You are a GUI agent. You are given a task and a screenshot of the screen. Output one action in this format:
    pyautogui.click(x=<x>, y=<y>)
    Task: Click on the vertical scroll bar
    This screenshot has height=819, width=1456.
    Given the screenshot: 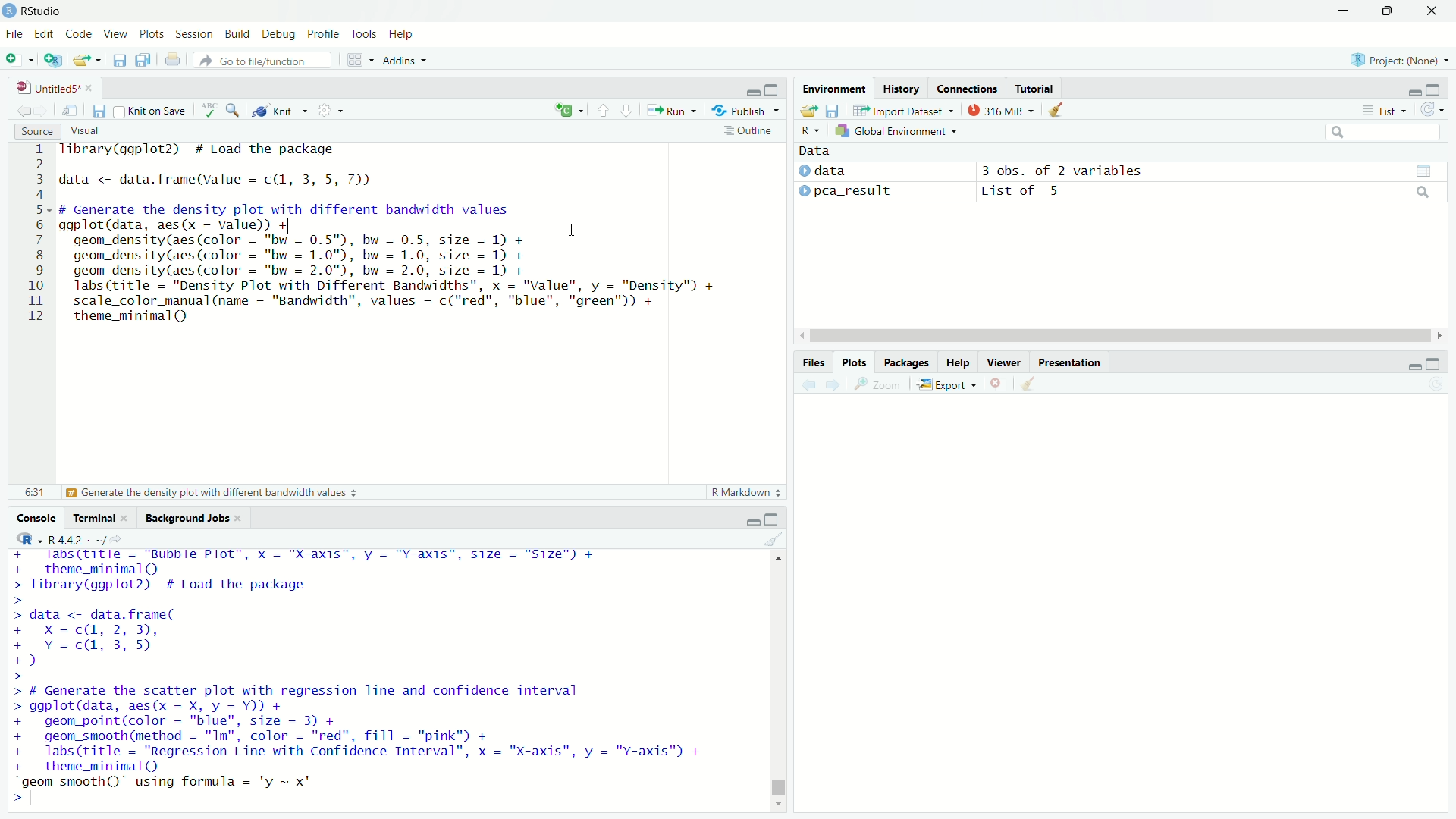 What is the action you would take?
    pyautogui.click(x=779, y=679)
    